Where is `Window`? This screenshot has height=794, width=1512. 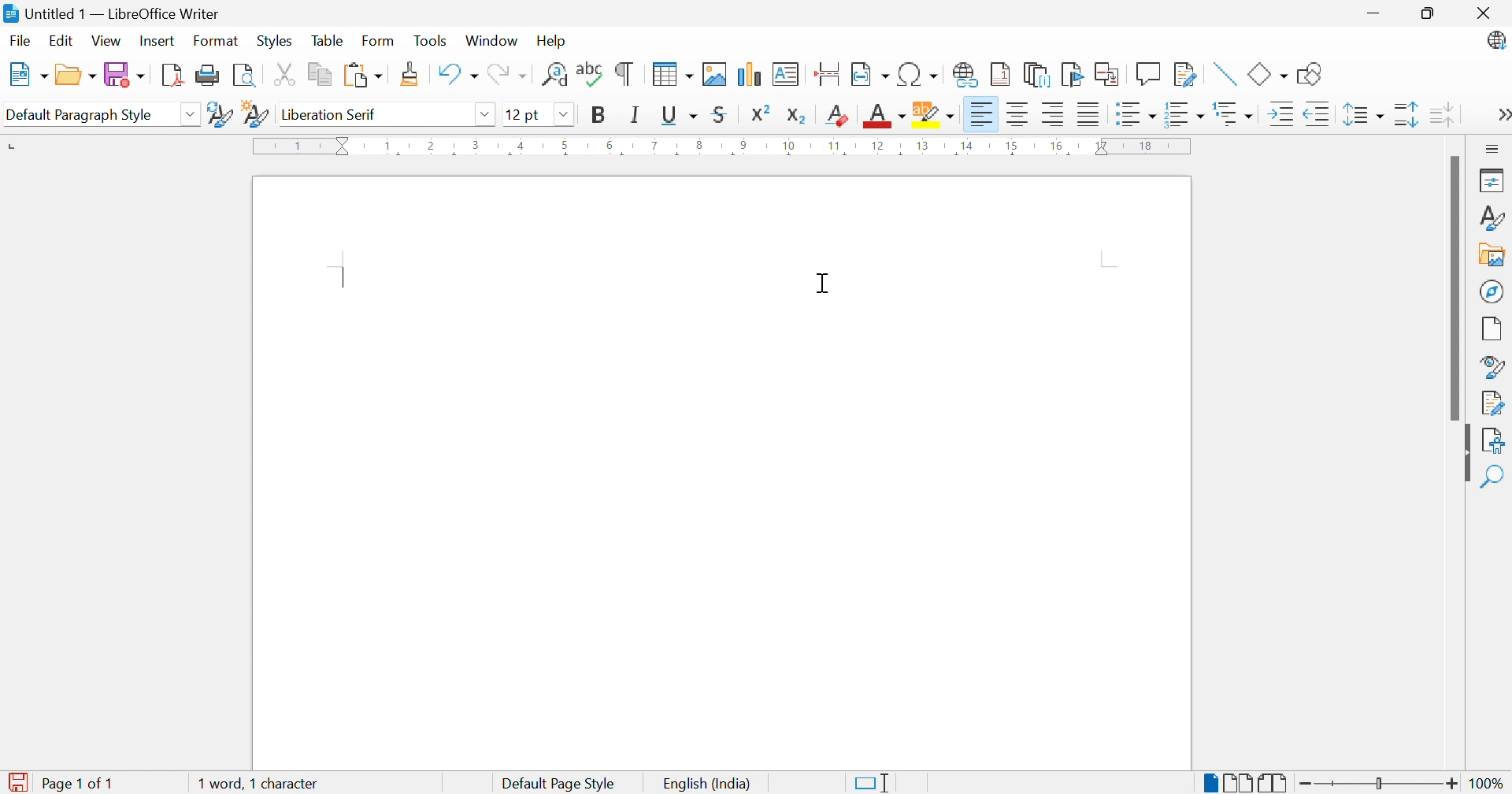 Window is located at coordinates (491, 41).